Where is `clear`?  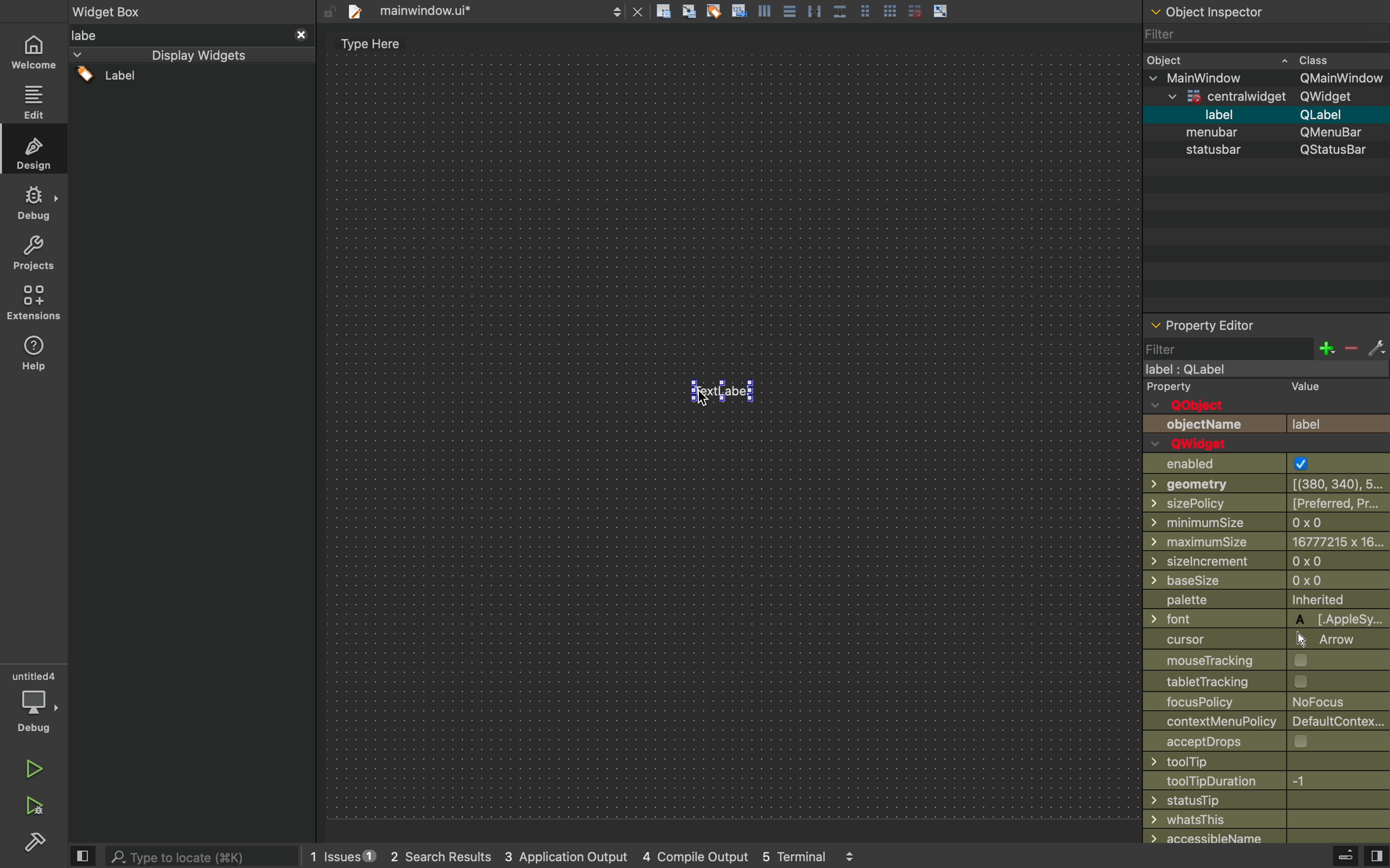
clear is located at coordinates (714, 11).